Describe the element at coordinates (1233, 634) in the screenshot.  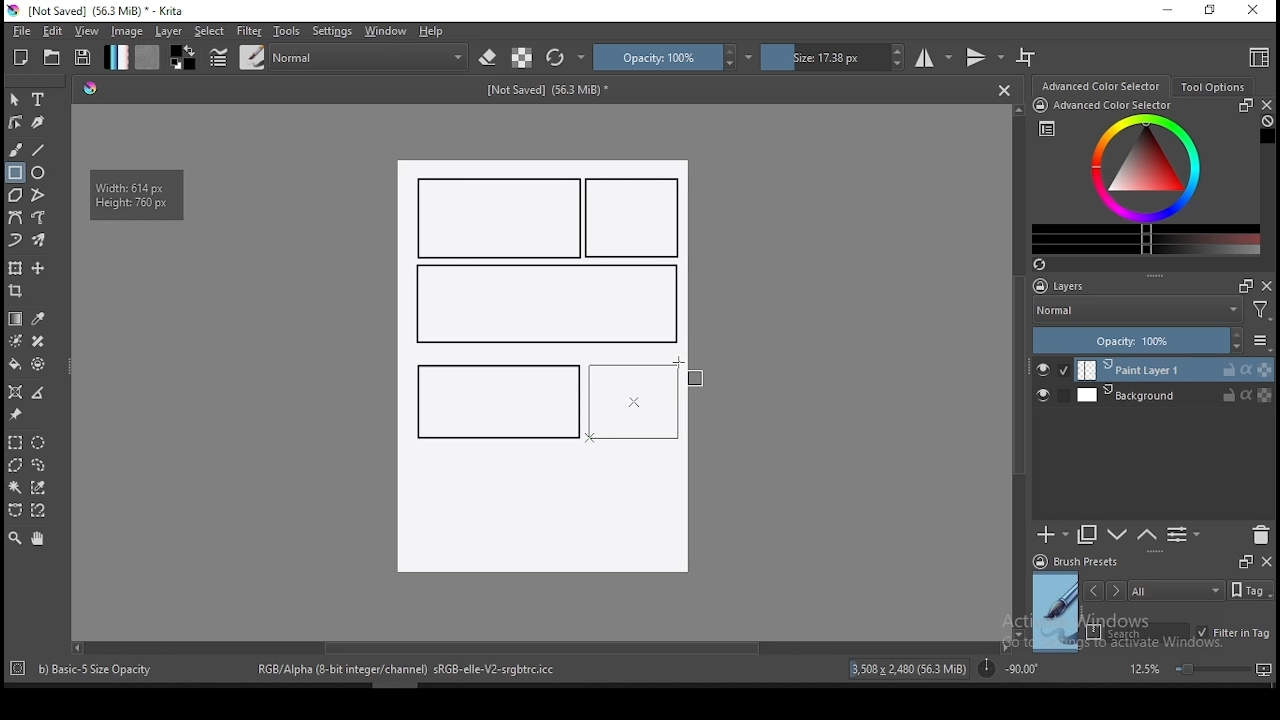
I see `filter in tag` at that location.